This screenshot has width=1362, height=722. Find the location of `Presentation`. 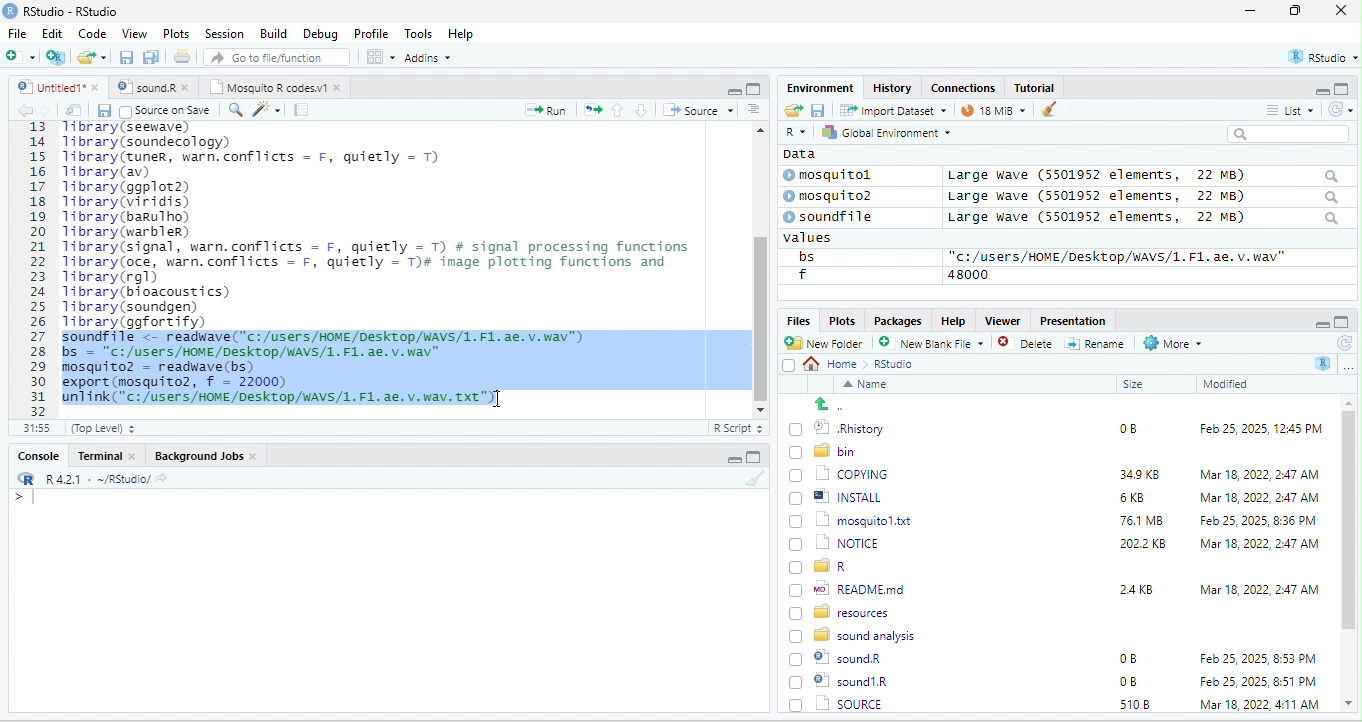

Presentation is located at coordinates (1071, 320).